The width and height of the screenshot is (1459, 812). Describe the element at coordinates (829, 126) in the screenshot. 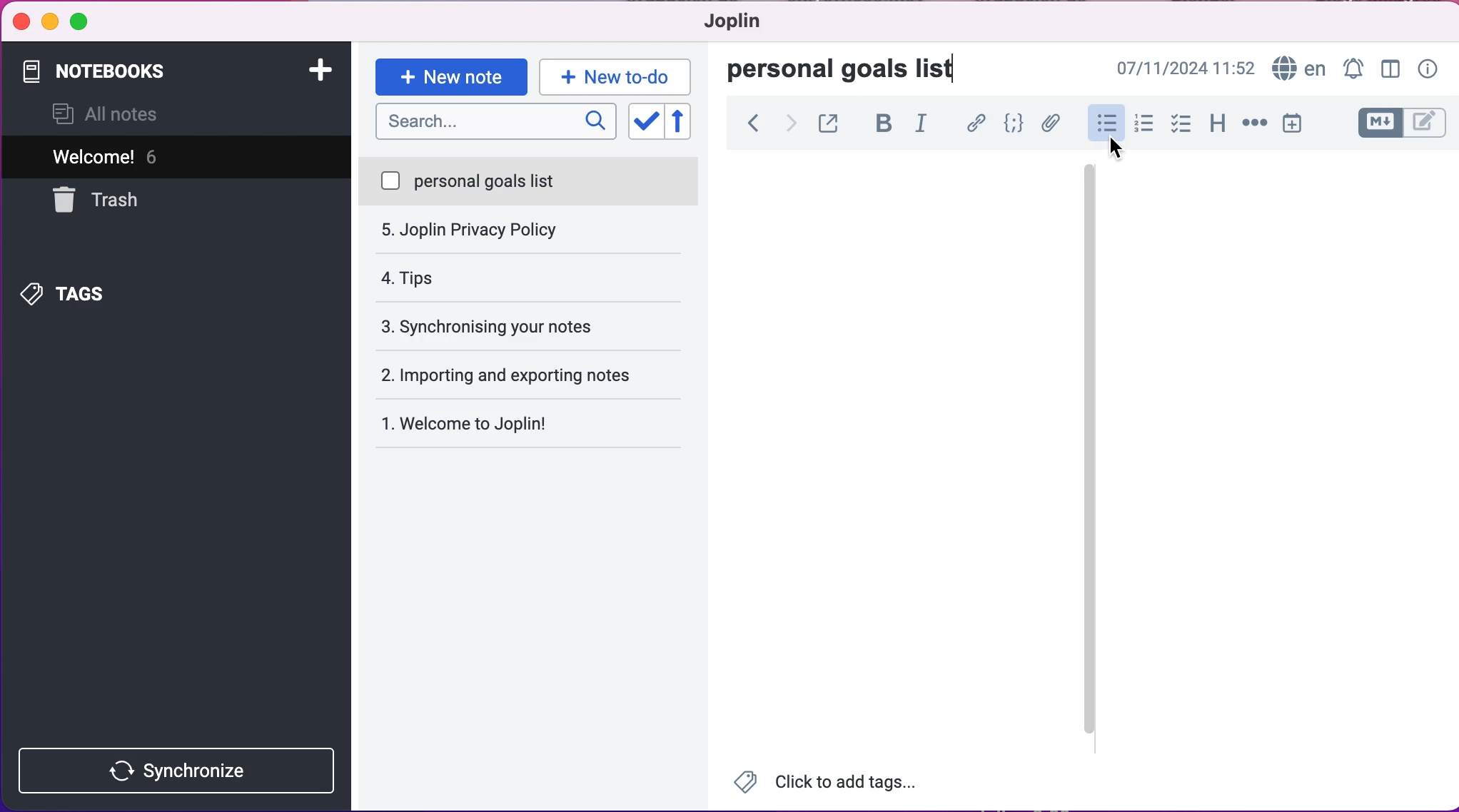

I see `toggle external editing` at that location.